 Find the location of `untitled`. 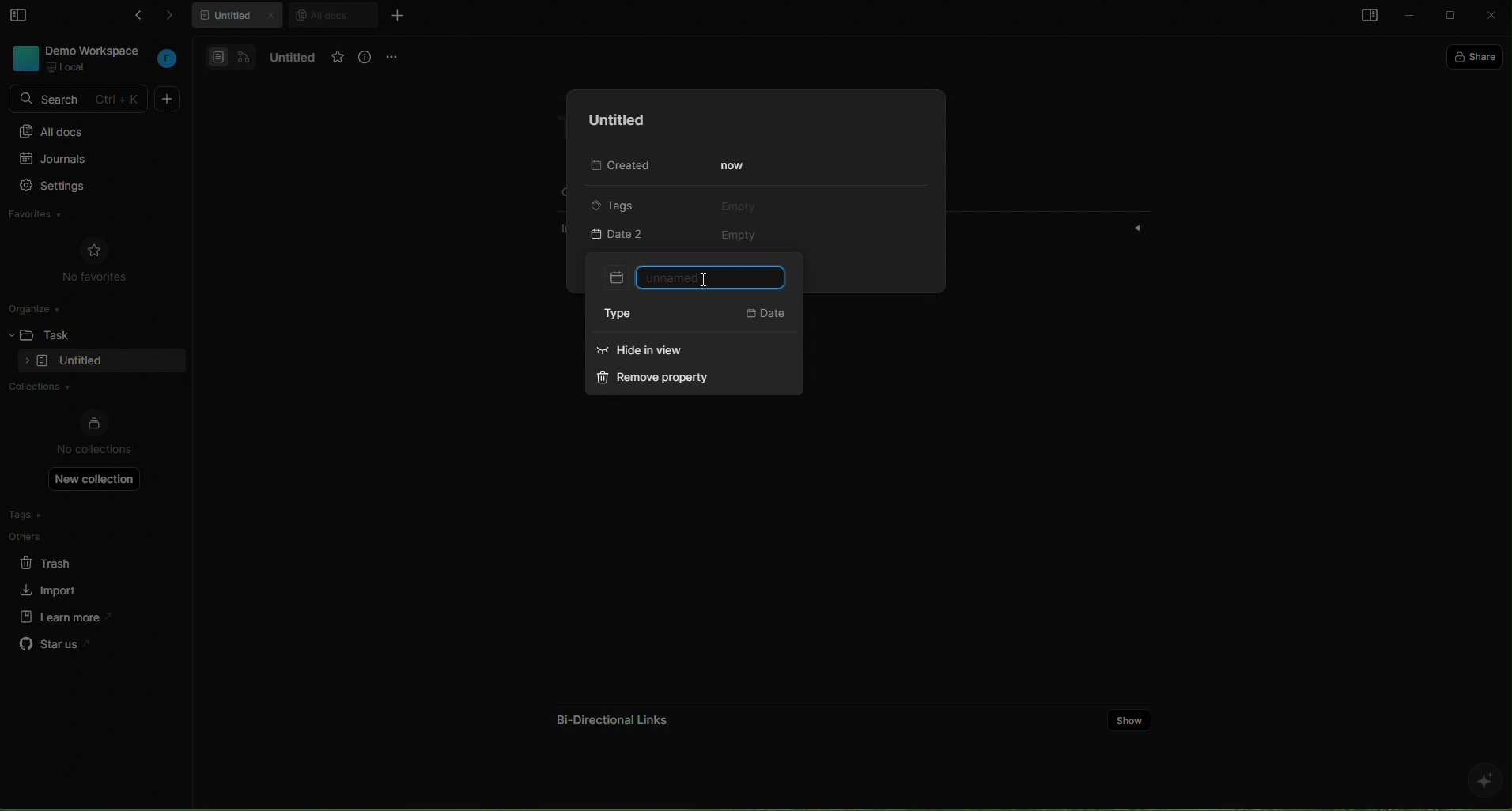

untitled is located at coordinates (612, 120).